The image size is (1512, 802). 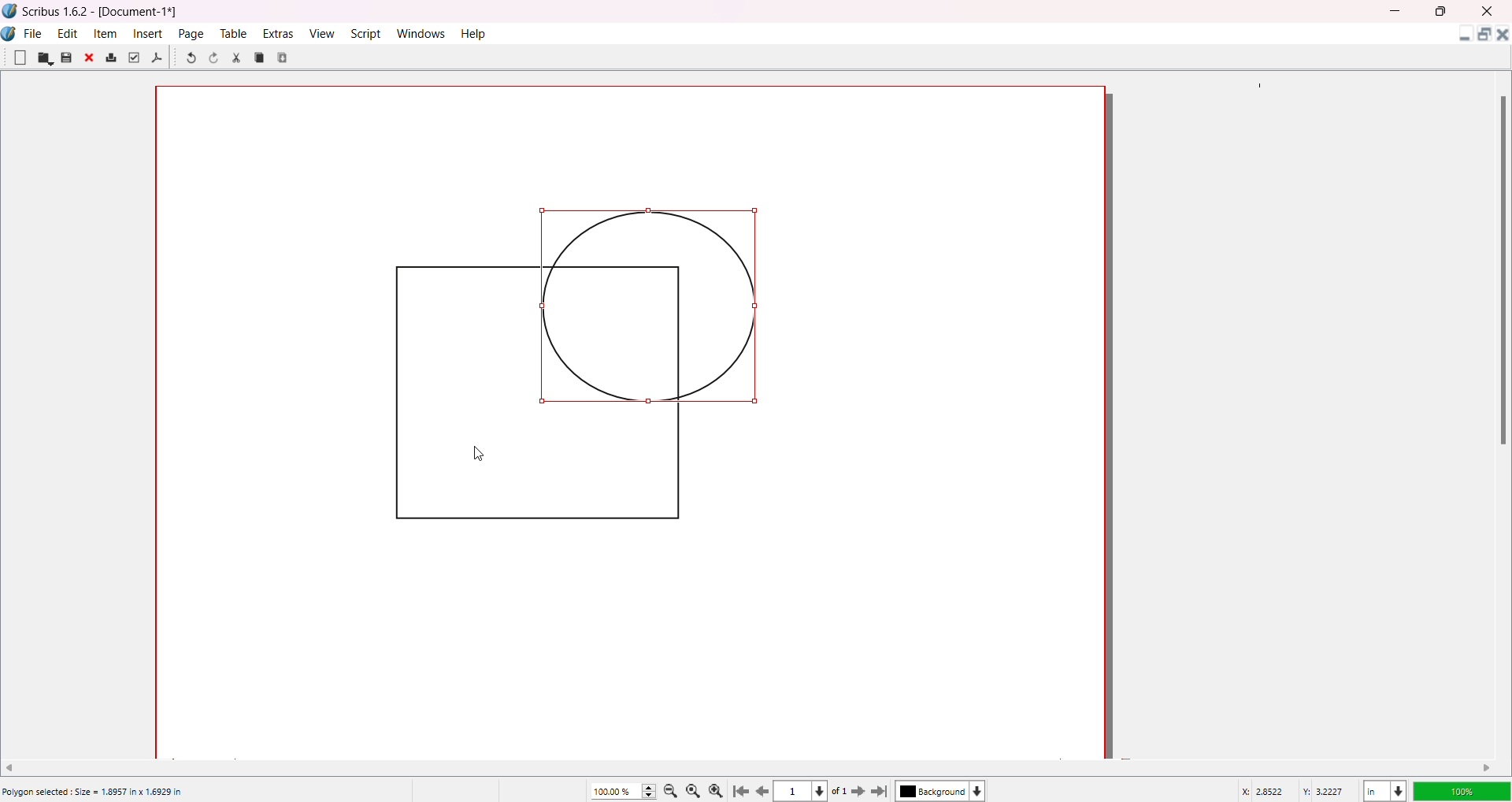 What do you see at coordinates (217, 60) in the screenshot?
I see `Redo` at bounding box center [217, 60].